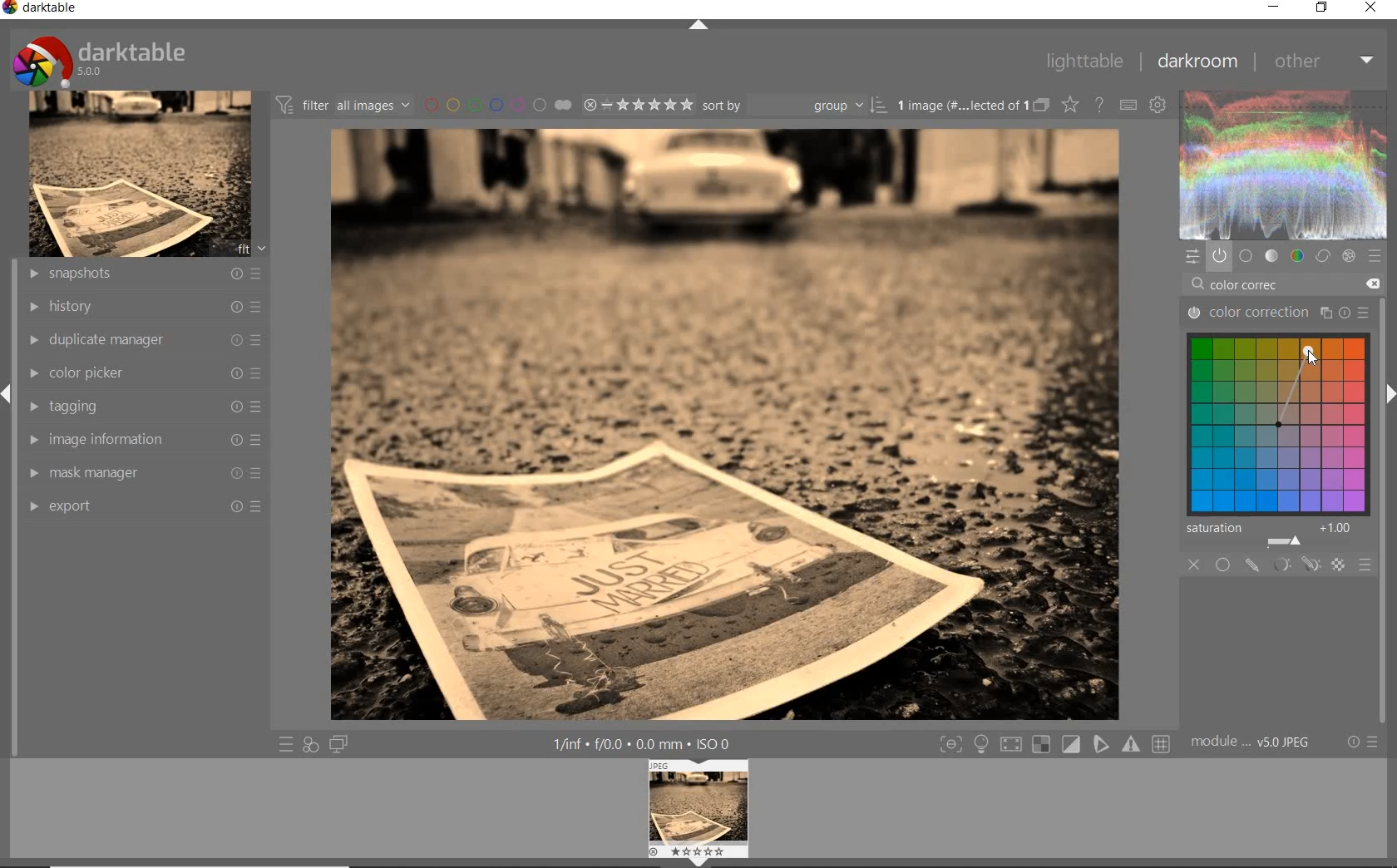 The height and width of the screenshot is (868, 1397). Describe the element at coordinates (140, 175) in the screenshot. I see `image` at that location.